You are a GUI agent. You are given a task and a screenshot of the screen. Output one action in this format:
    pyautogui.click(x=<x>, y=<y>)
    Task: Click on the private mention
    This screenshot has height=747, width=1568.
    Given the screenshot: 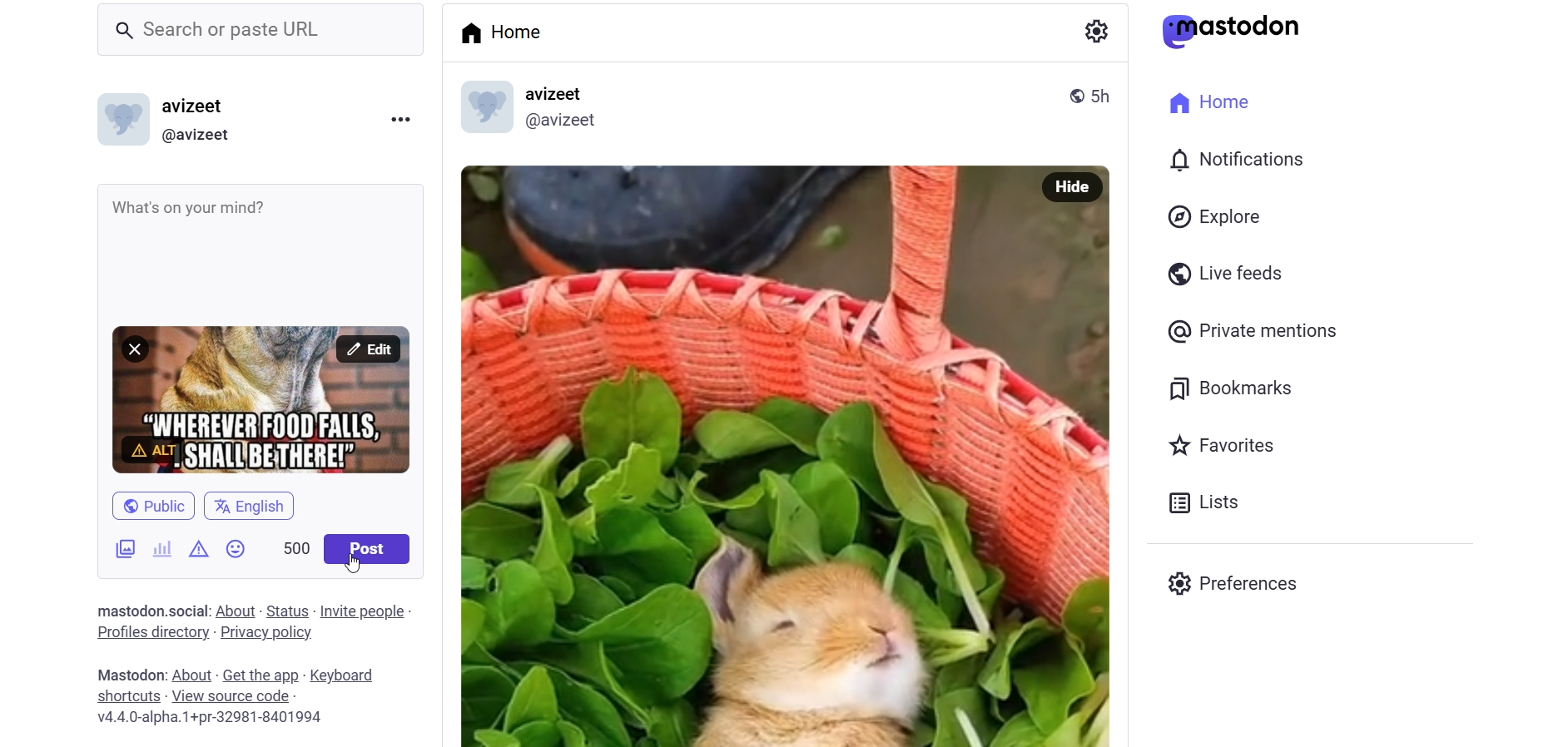 What is the action you would take?
    pyautogui.click(x=1260, y=332)
    